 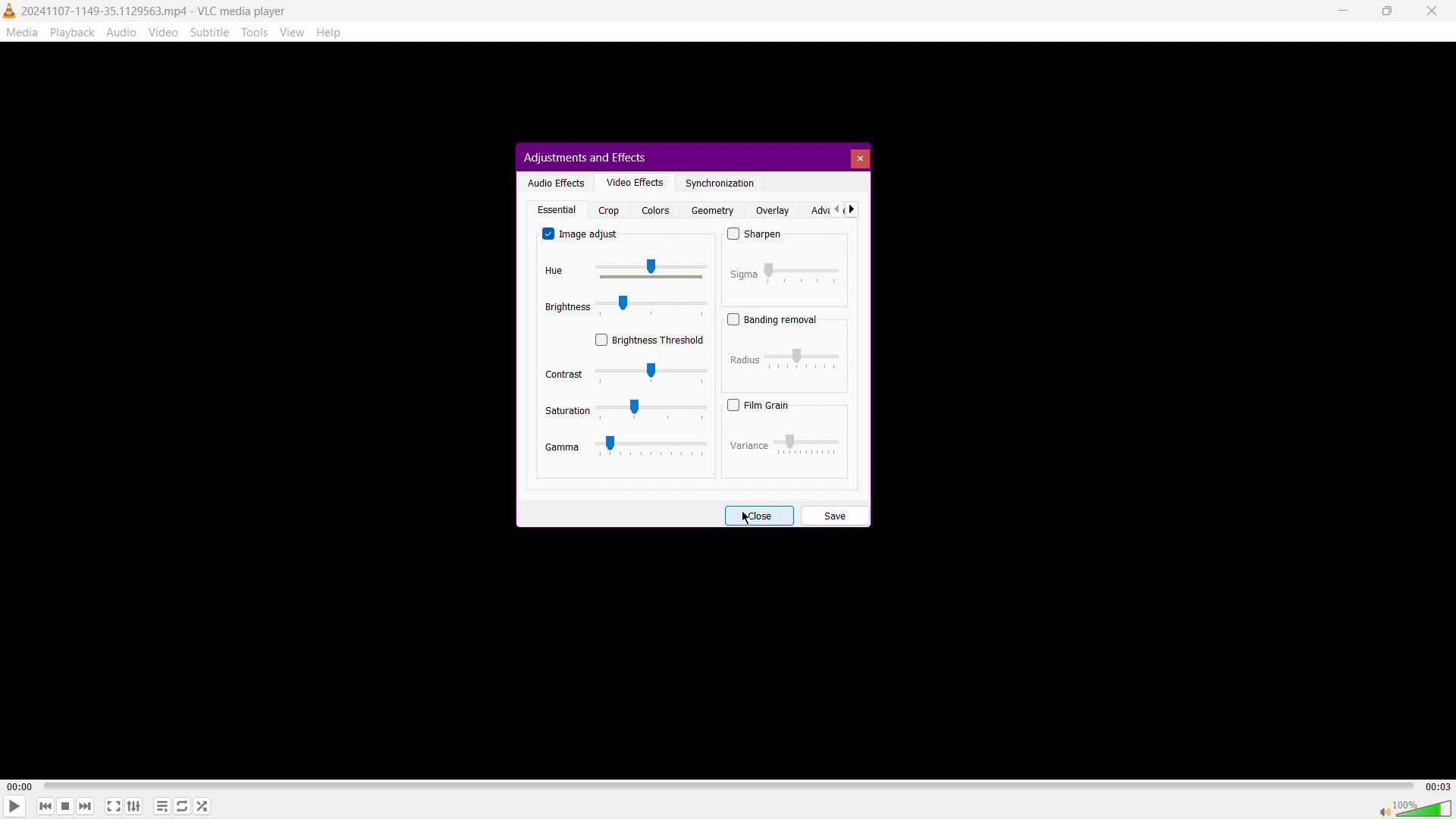 I want to click on Adjustments and Effects, so click(x=583, y=156).